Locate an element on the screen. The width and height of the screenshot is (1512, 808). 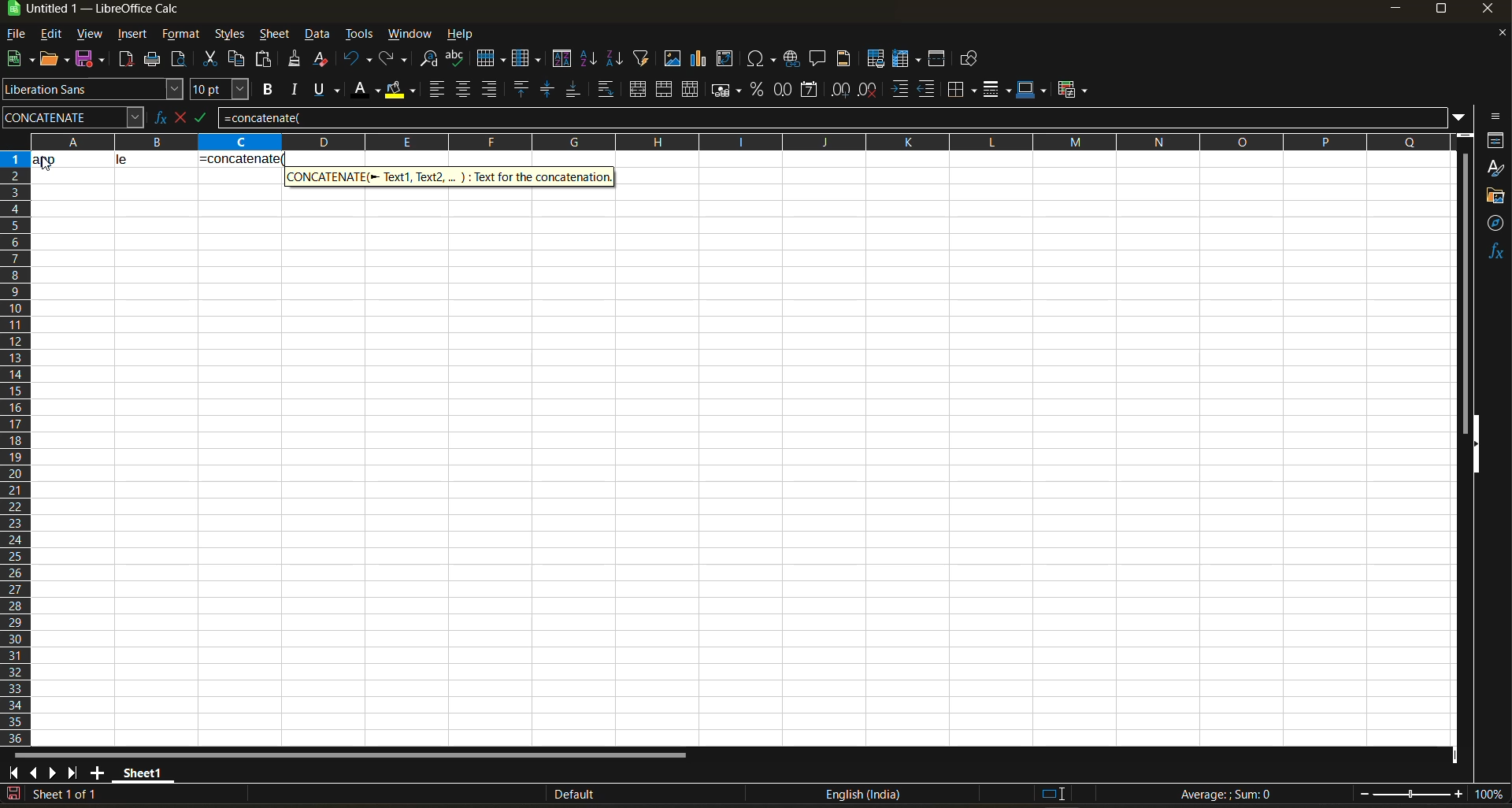
conditional is located at coordinates (1075, 89).